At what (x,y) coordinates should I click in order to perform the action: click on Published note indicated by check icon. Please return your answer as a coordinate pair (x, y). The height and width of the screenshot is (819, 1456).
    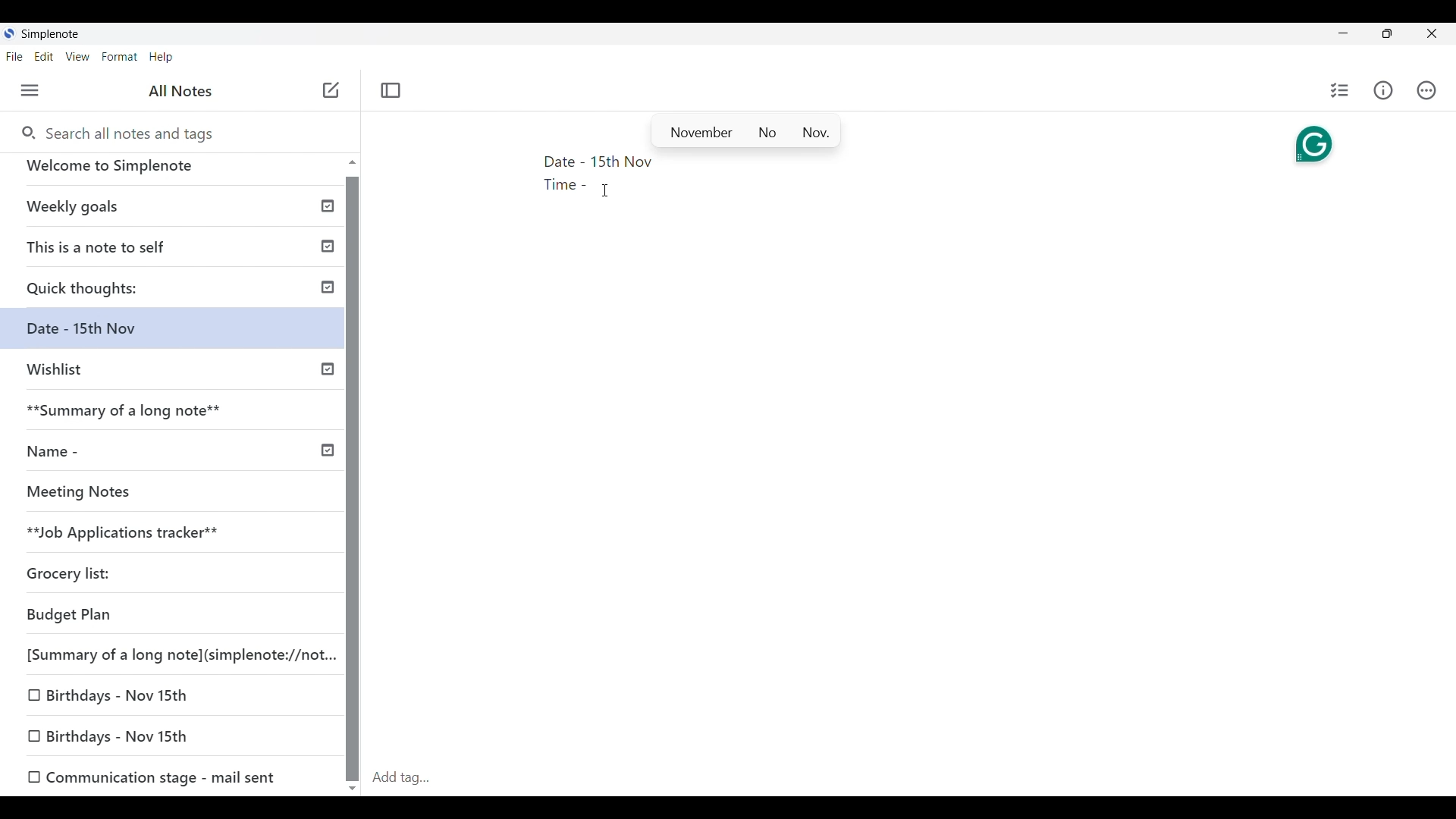
    Looking at the image, I should click on (177, 293).